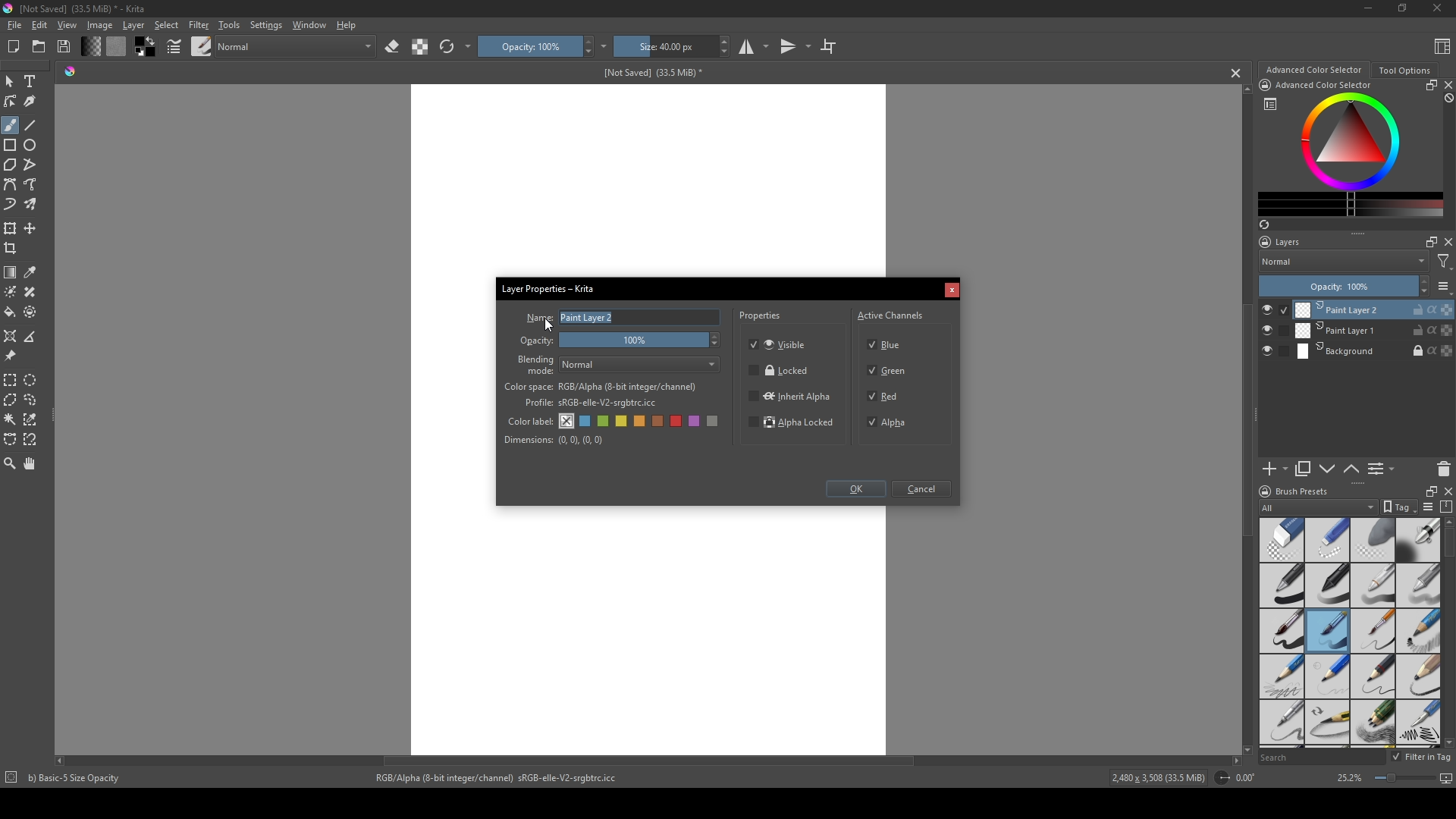 The image size is (1456, 819). I want to click on folder, so click(39, 47).